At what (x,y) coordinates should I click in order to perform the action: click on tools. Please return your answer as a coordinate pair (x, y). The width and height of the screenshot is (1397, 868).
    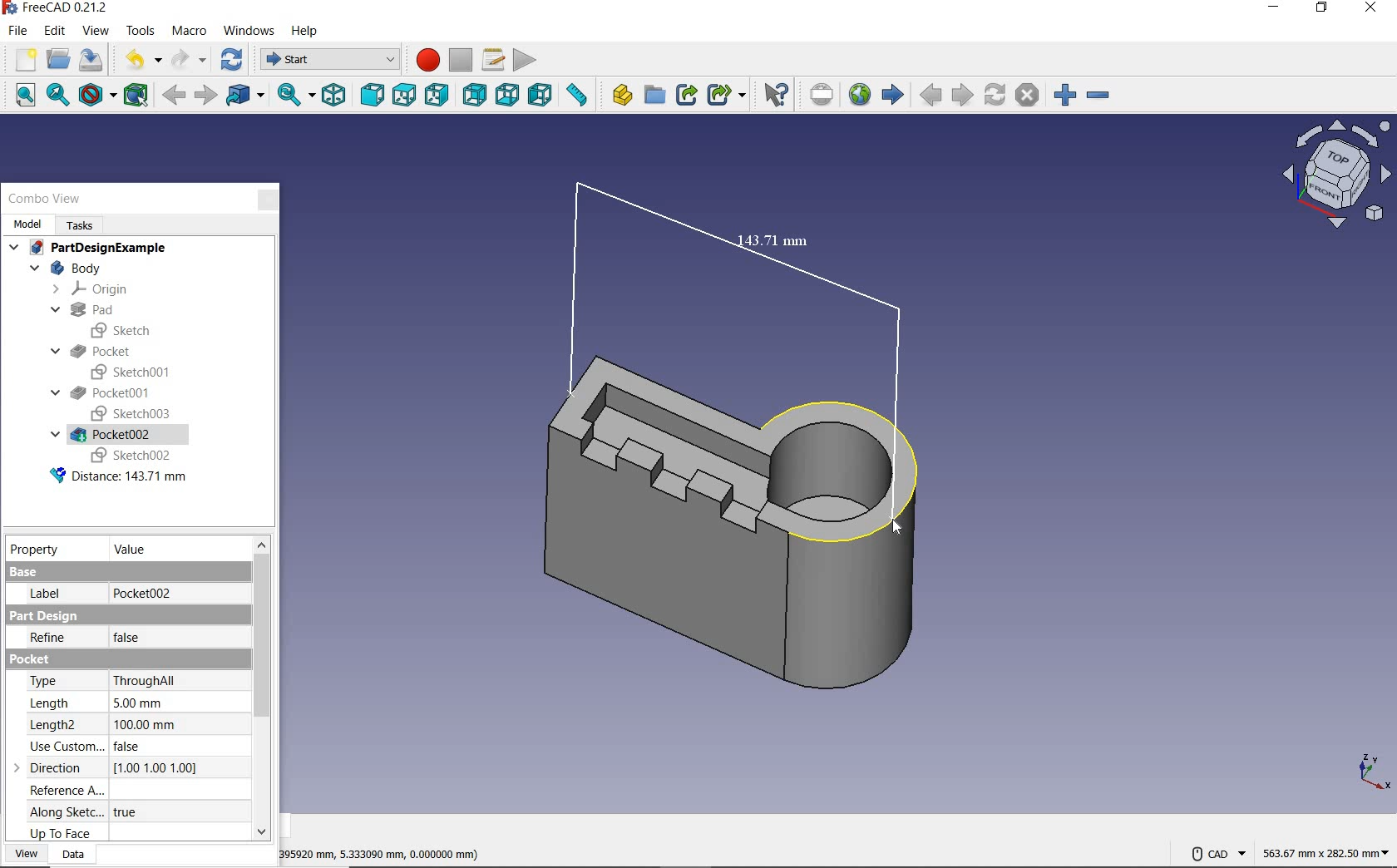
    Looking at the image, I should click on (137, 31).